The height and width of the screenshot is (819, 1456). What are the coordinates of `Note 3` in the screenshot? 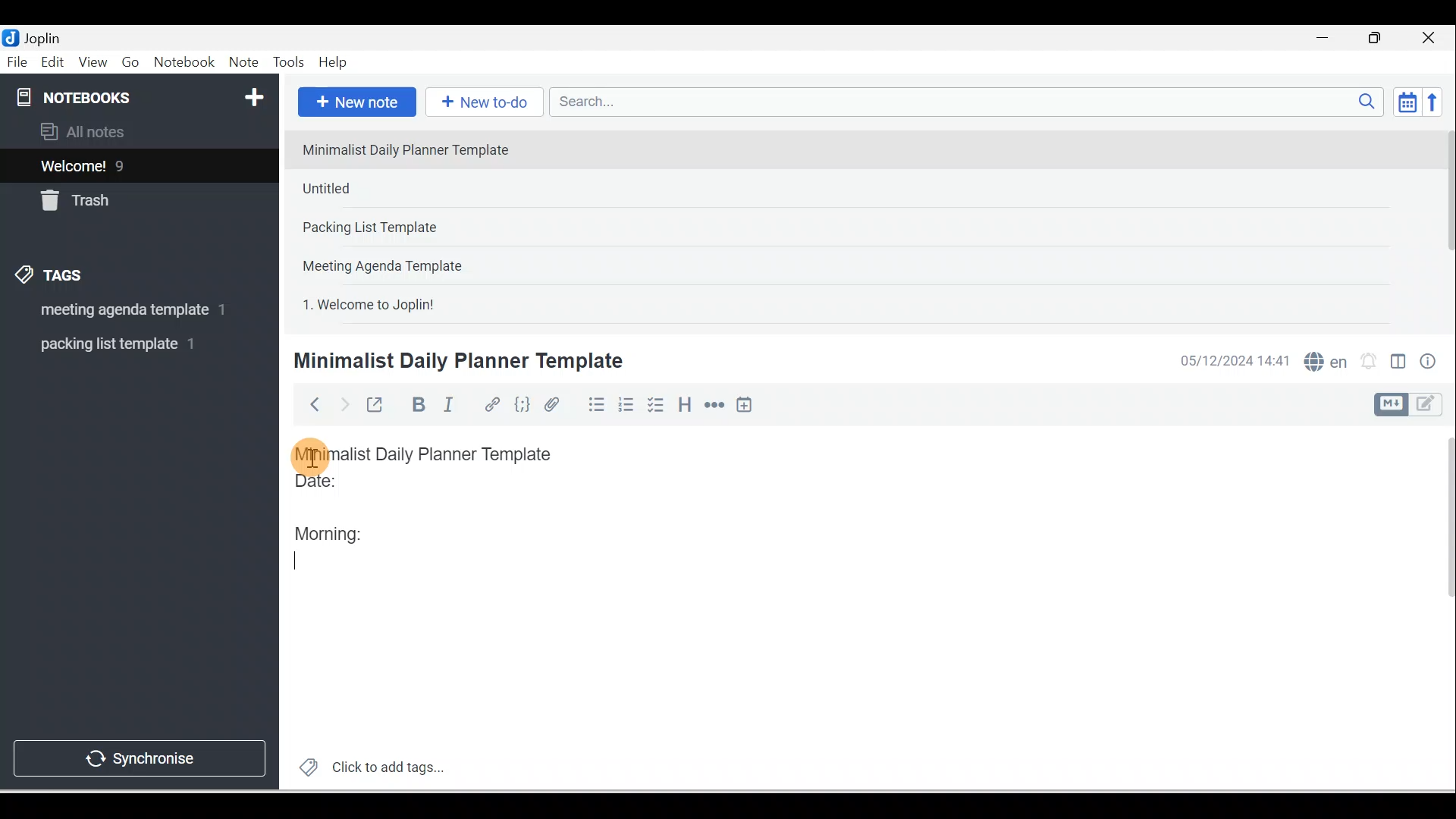 It's located at (418, 228).